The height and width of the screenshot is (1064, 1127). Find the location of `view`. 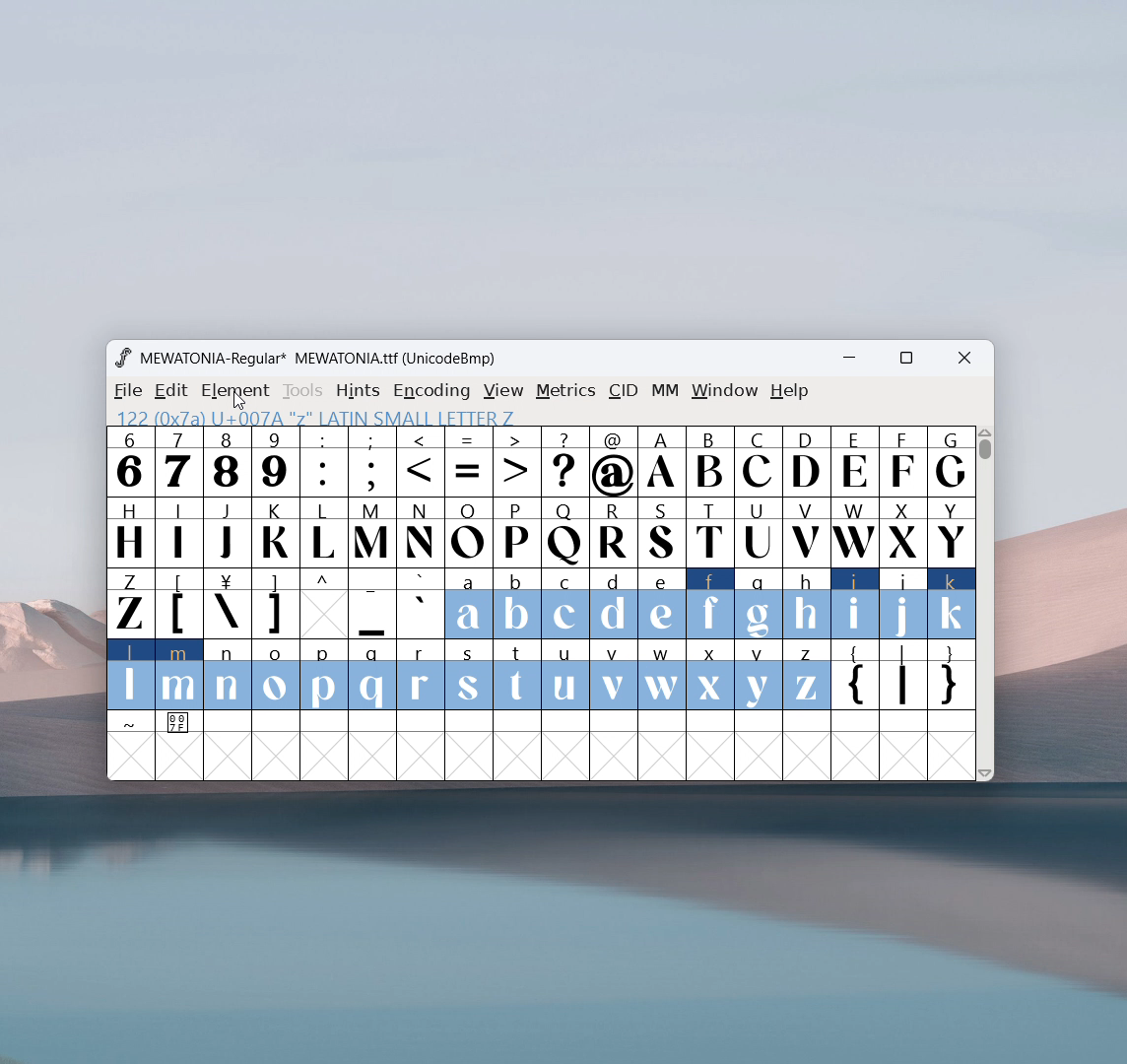

view is located at coordinates (503, 391).